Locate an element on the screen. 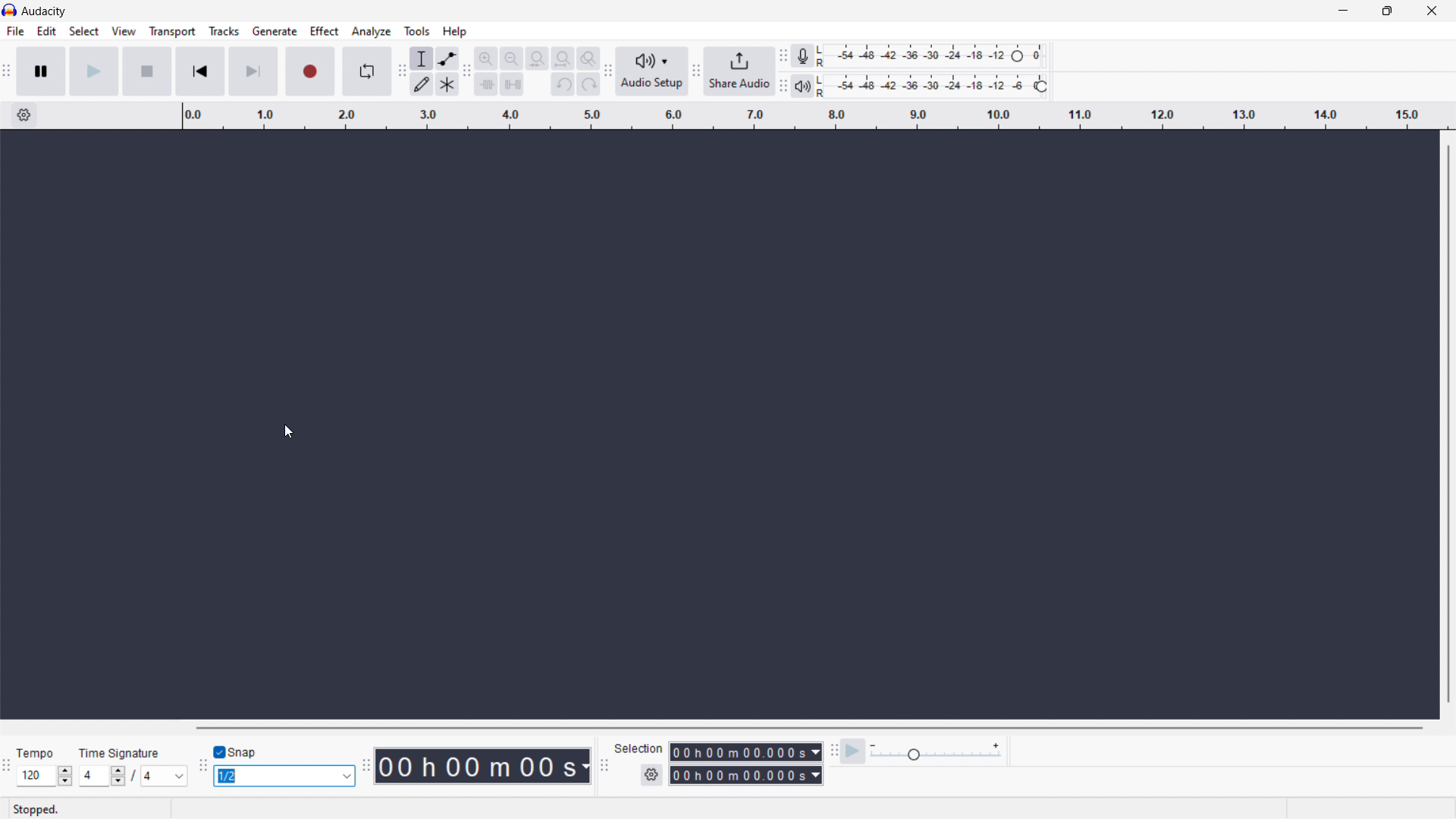 The height and width of the screenshot is (819, 1456). cursor is located at coordinates (286, 432).